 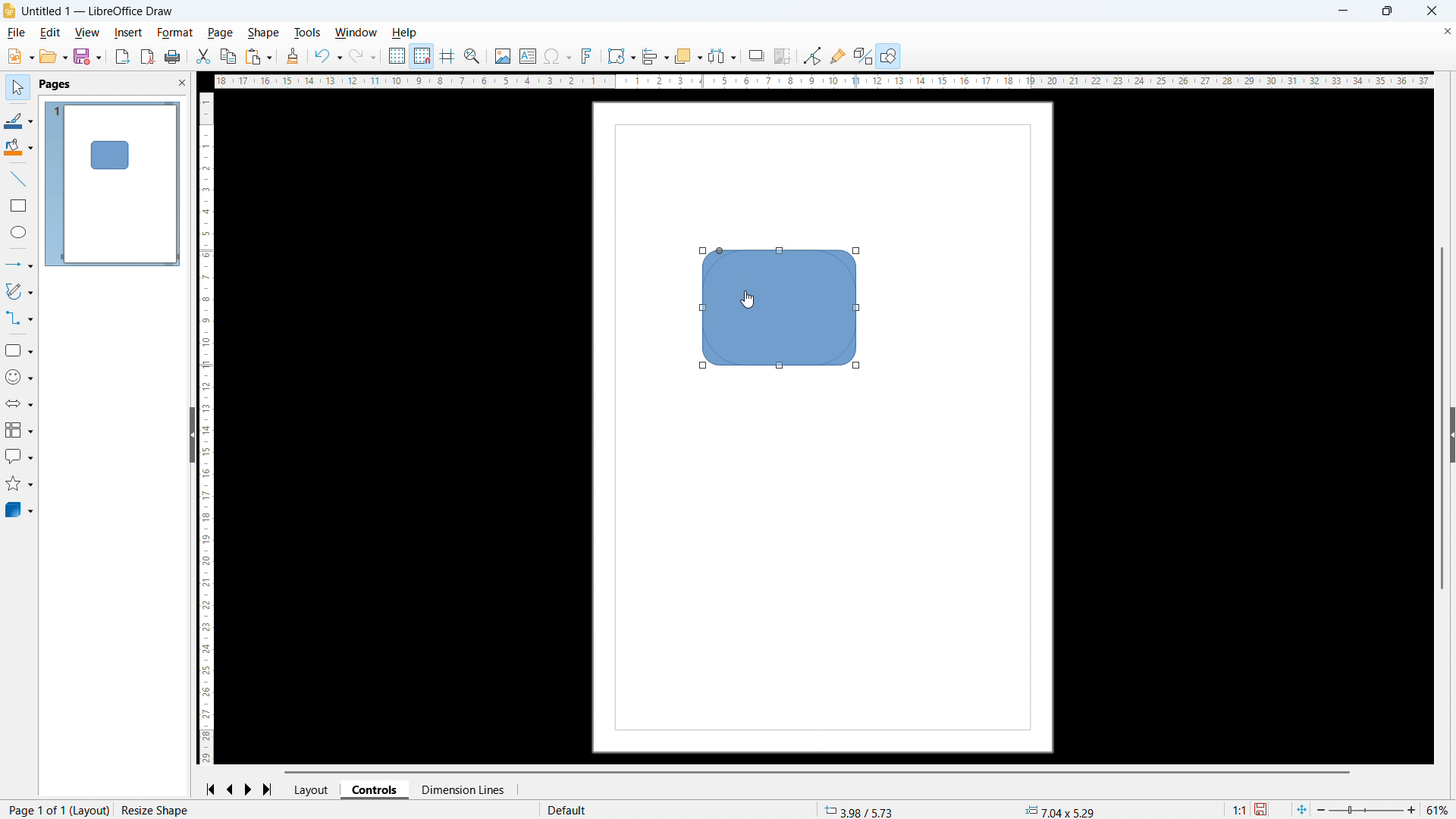 What do you see at coordinates (837, 55) in the screenshot?
I see `show gluepoint function` at bounding box center [837, 55].